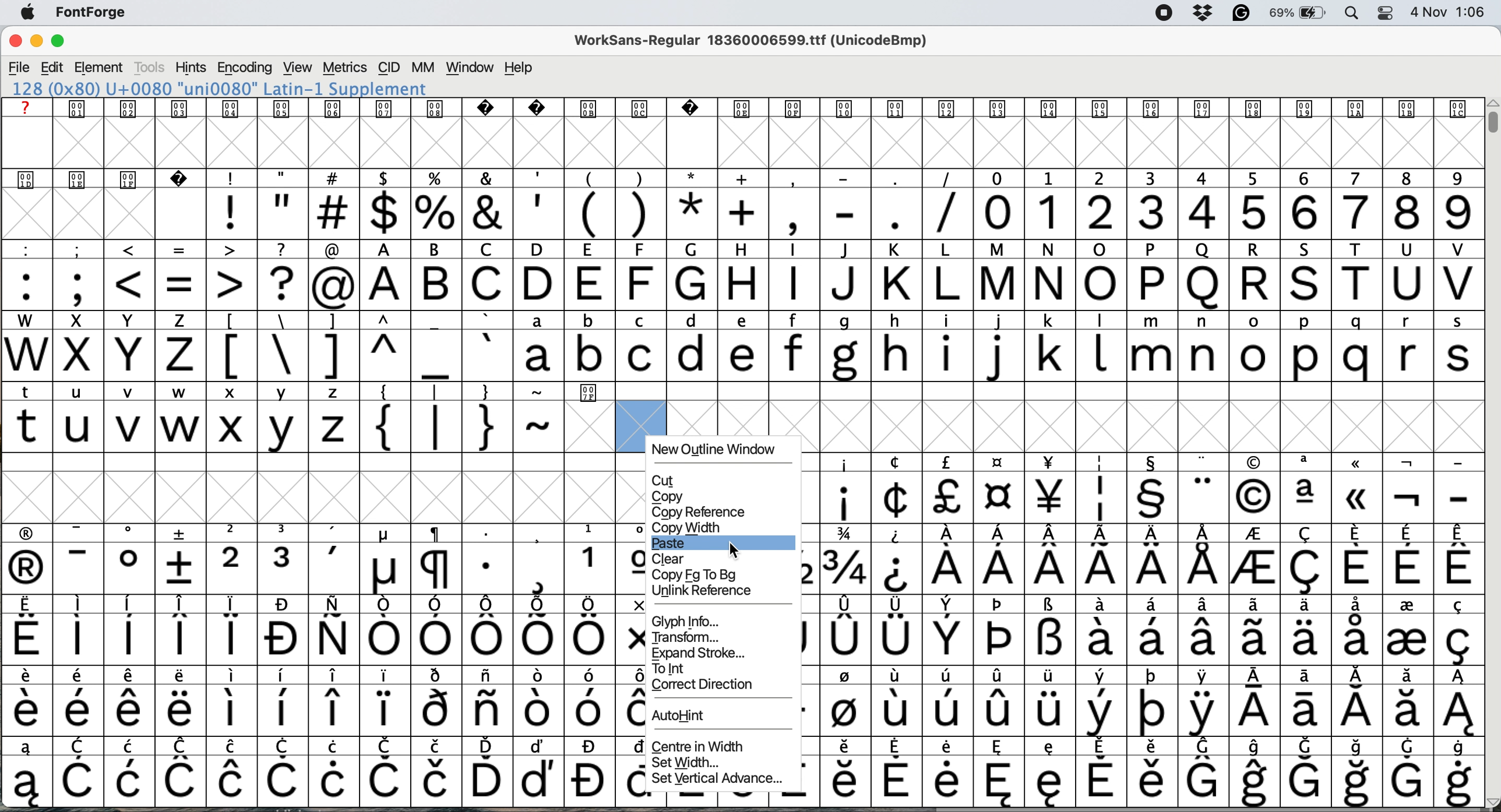  What do you see at coordinates (1227, 211) in the screenshot?
I see `numbers` at bounding box center [1227, 211].